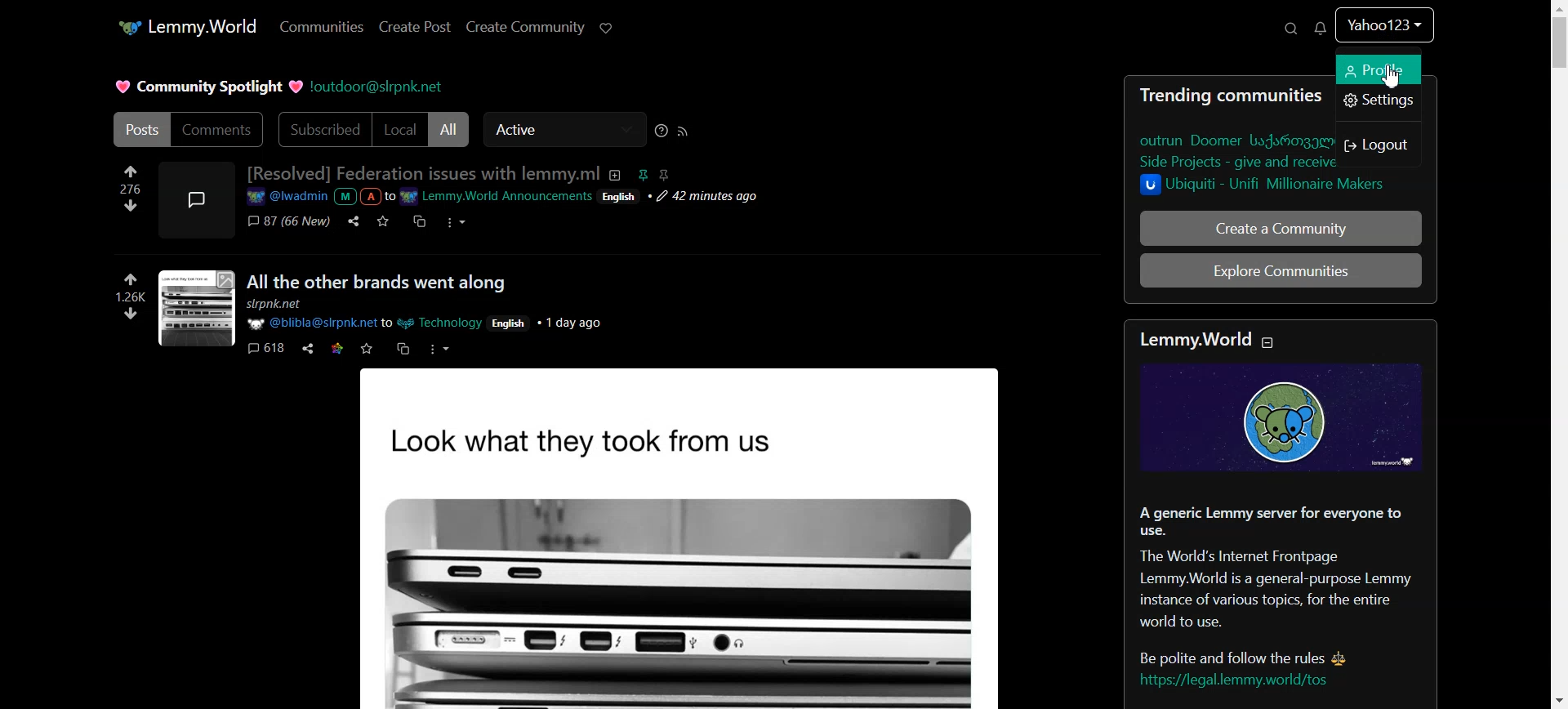 The height and width of the screenshot is (709, 1568). What do you see at coordinates (289, 221) in the screenshot?
I see `Comment` at bounding box center [289, 221].